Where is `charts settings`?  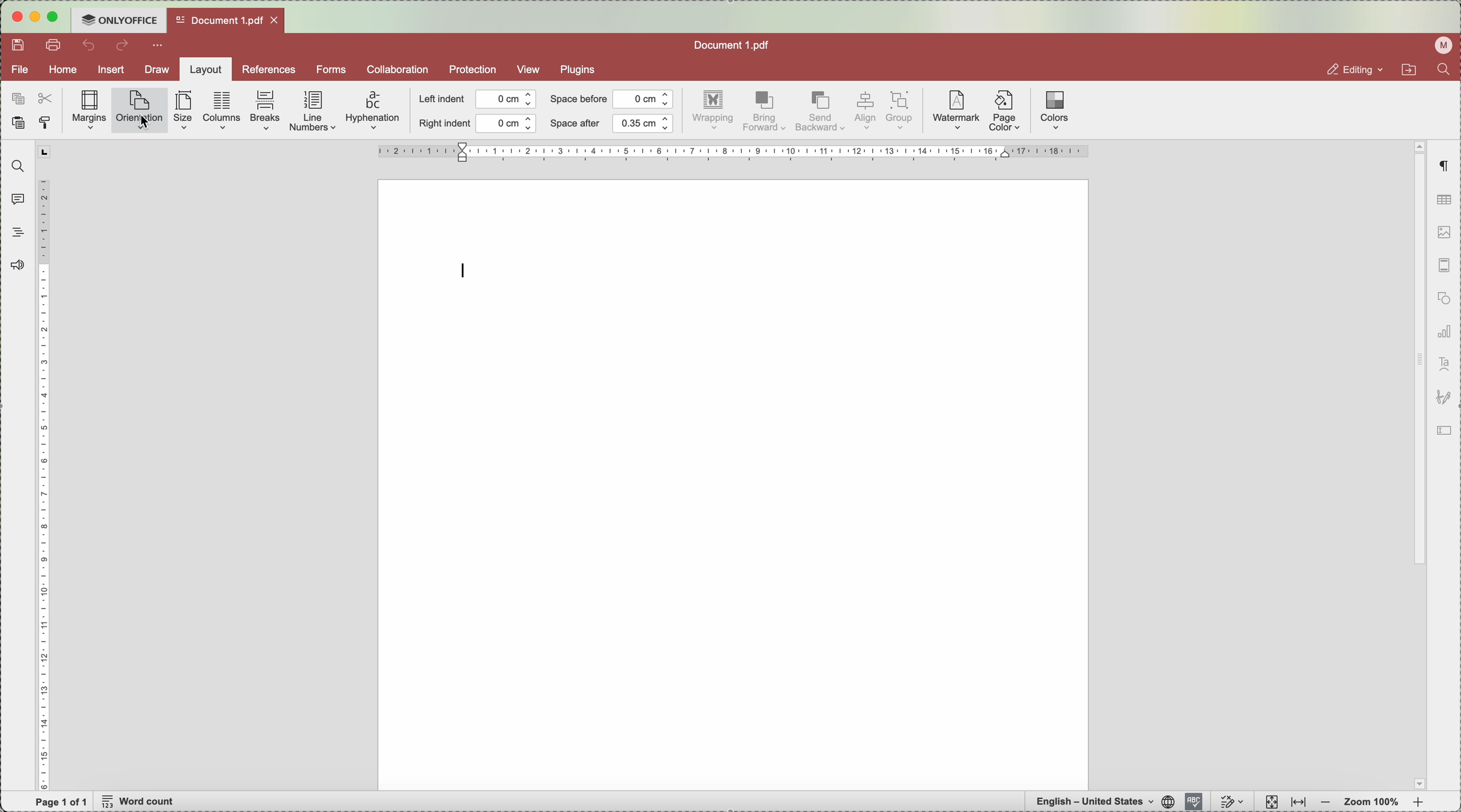
charts settings is located at coordinates (1443, 333).